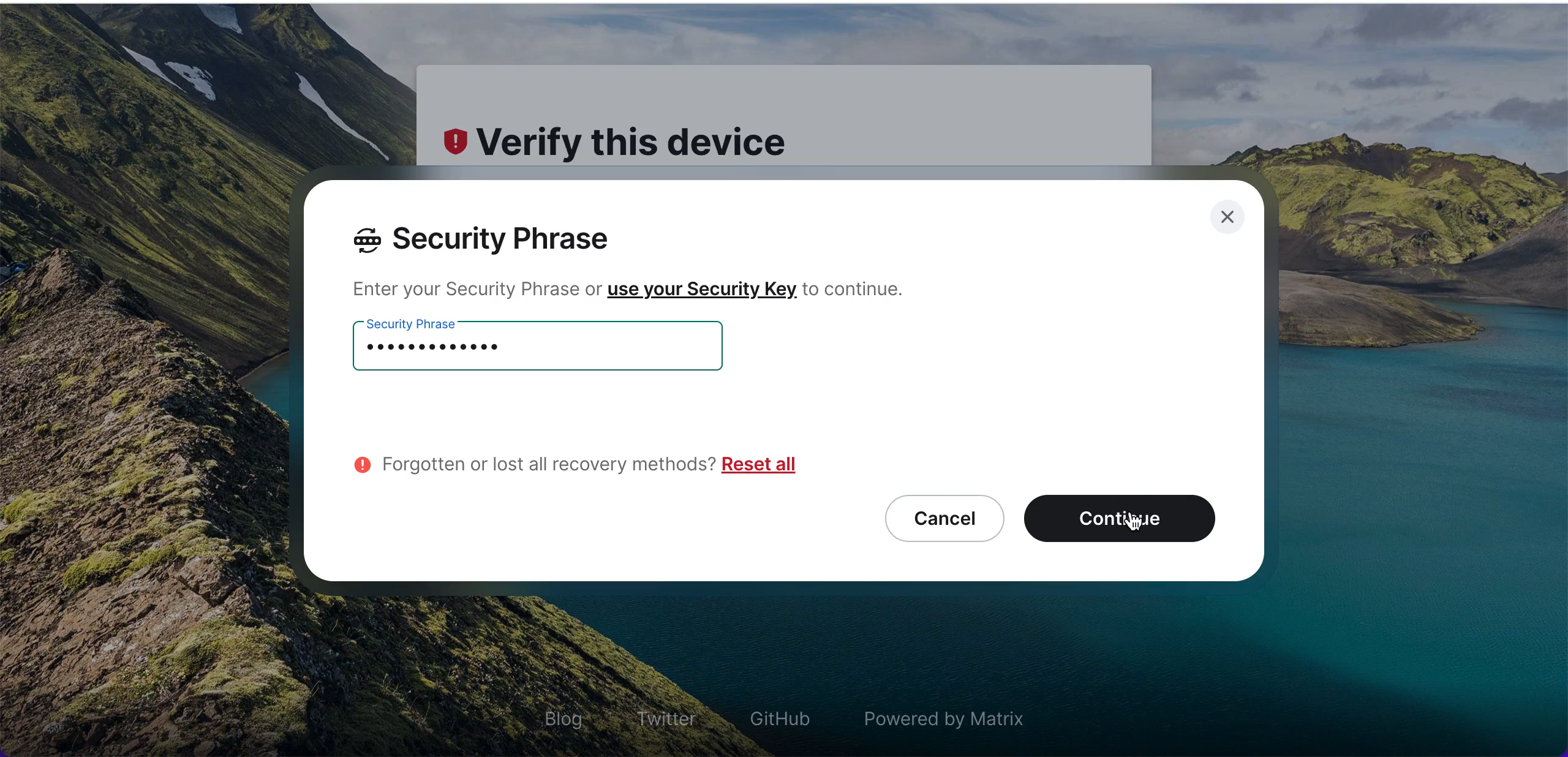 The image size is (1568, 757). What do you see at coordinates (554, 348) in the screenshot?
I see `security phrase` at bounding box center [554, 348].